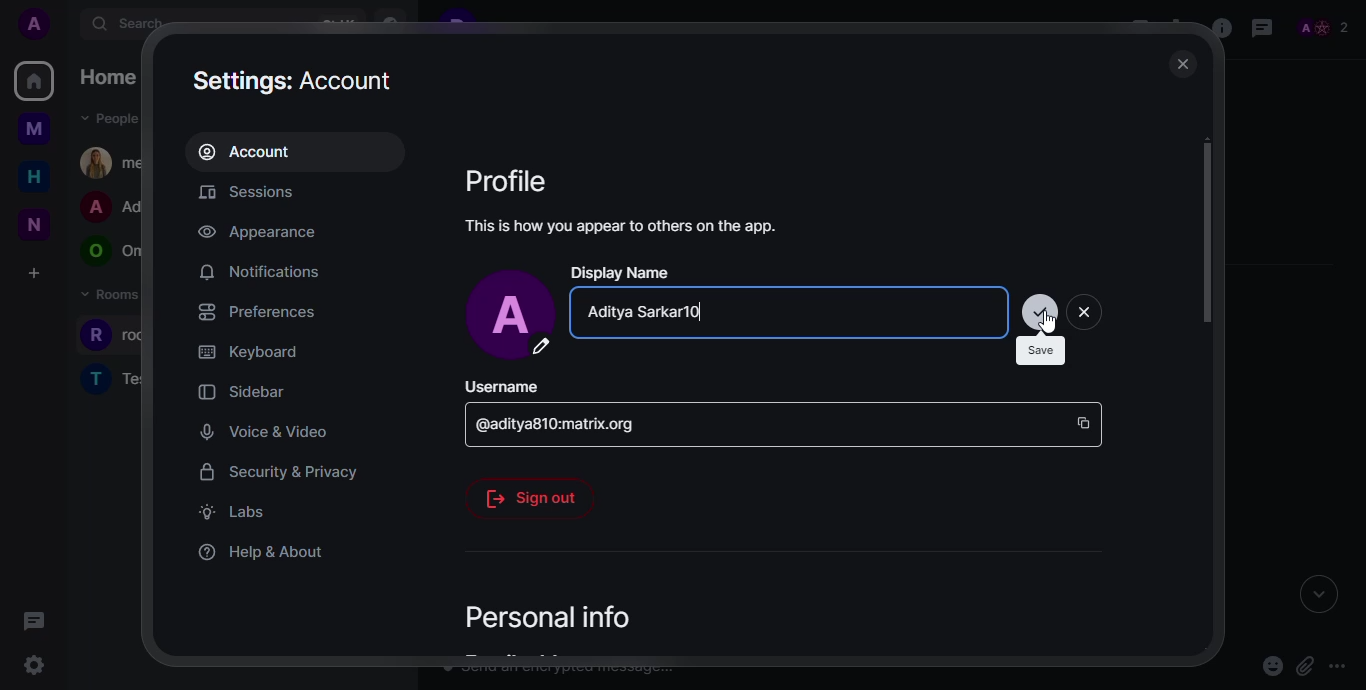 Image resolution: width=1366 pixels, height=690 pixels. I want to click on voice & video, so click(258, 431).